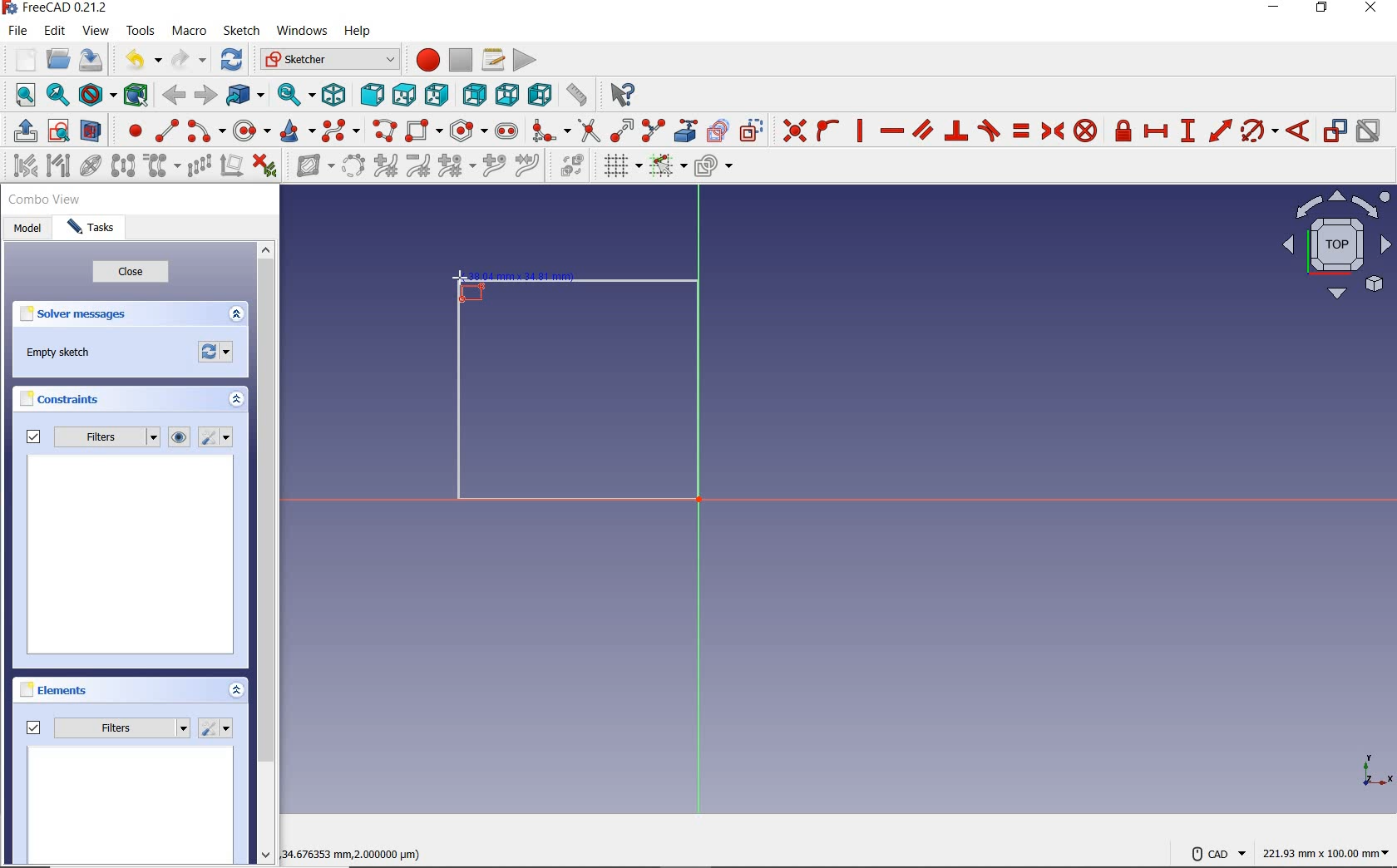 The height and width of the screenshot is (868, 1397). I want to click on switch between workbenches, so click(329, 60).